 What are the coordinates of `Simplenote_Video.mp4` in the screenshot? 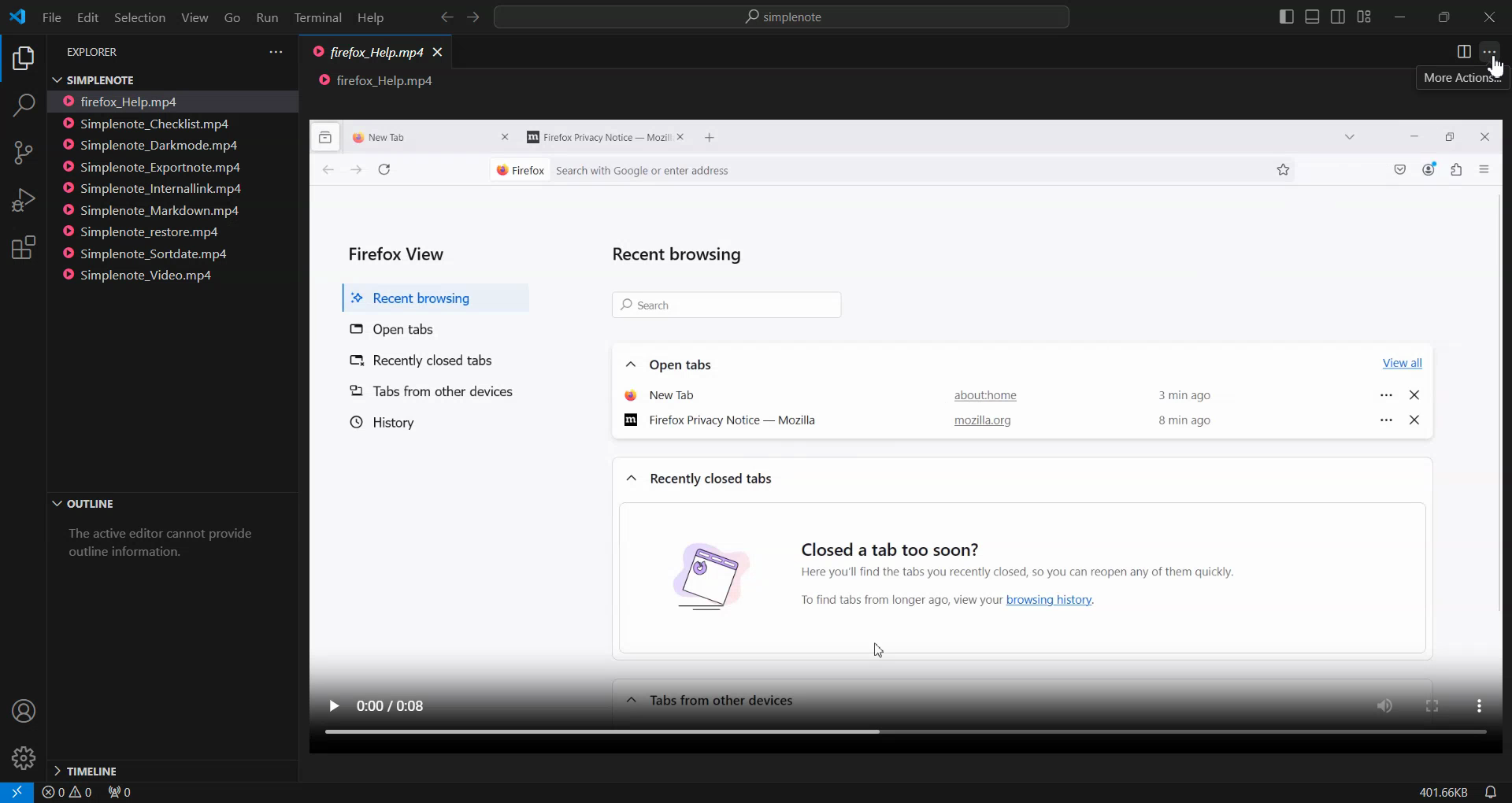 It's located at (146, 274).